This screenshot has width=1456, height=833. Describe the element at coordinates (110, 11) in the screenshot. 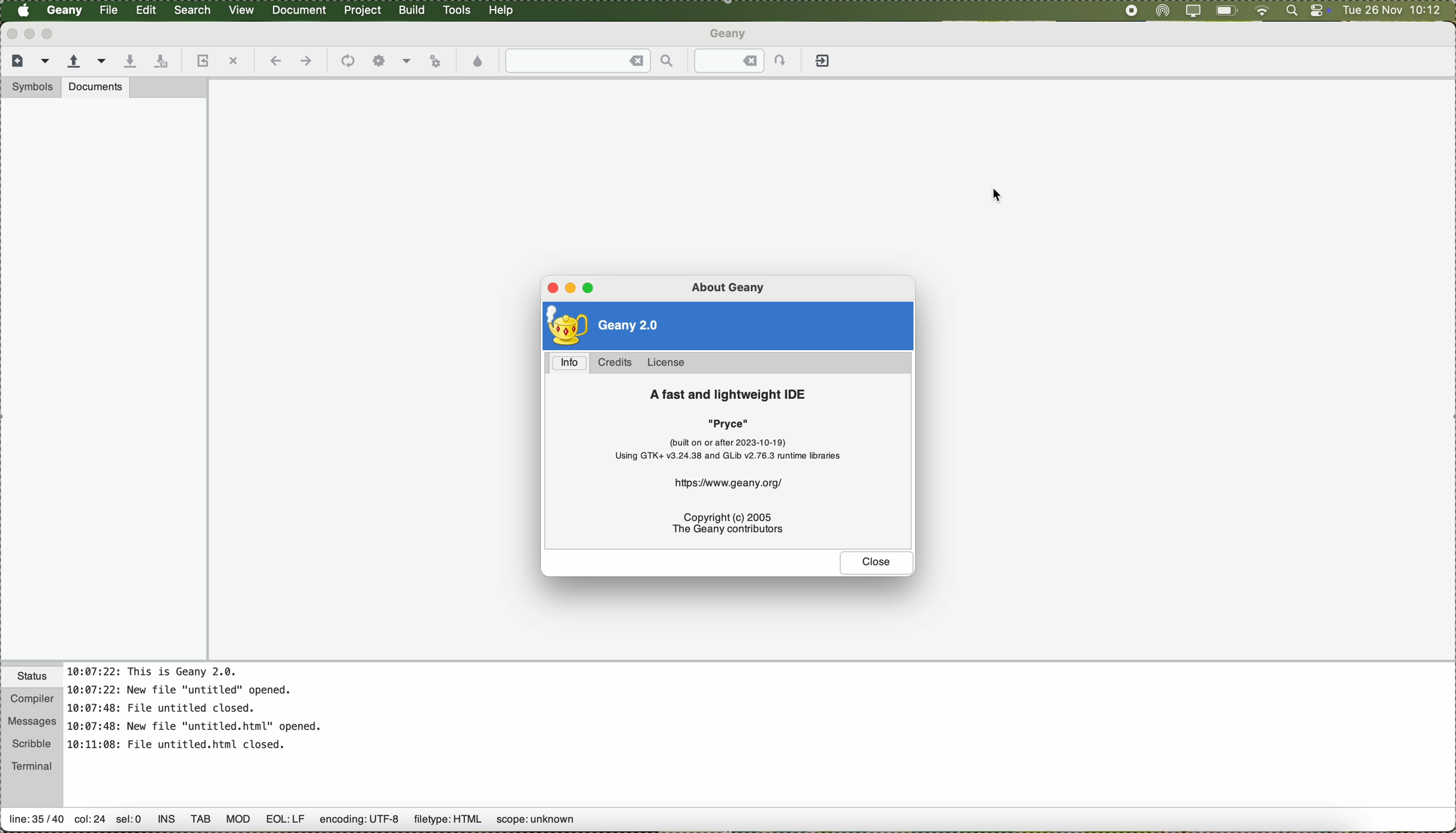

I see `file` at that location.